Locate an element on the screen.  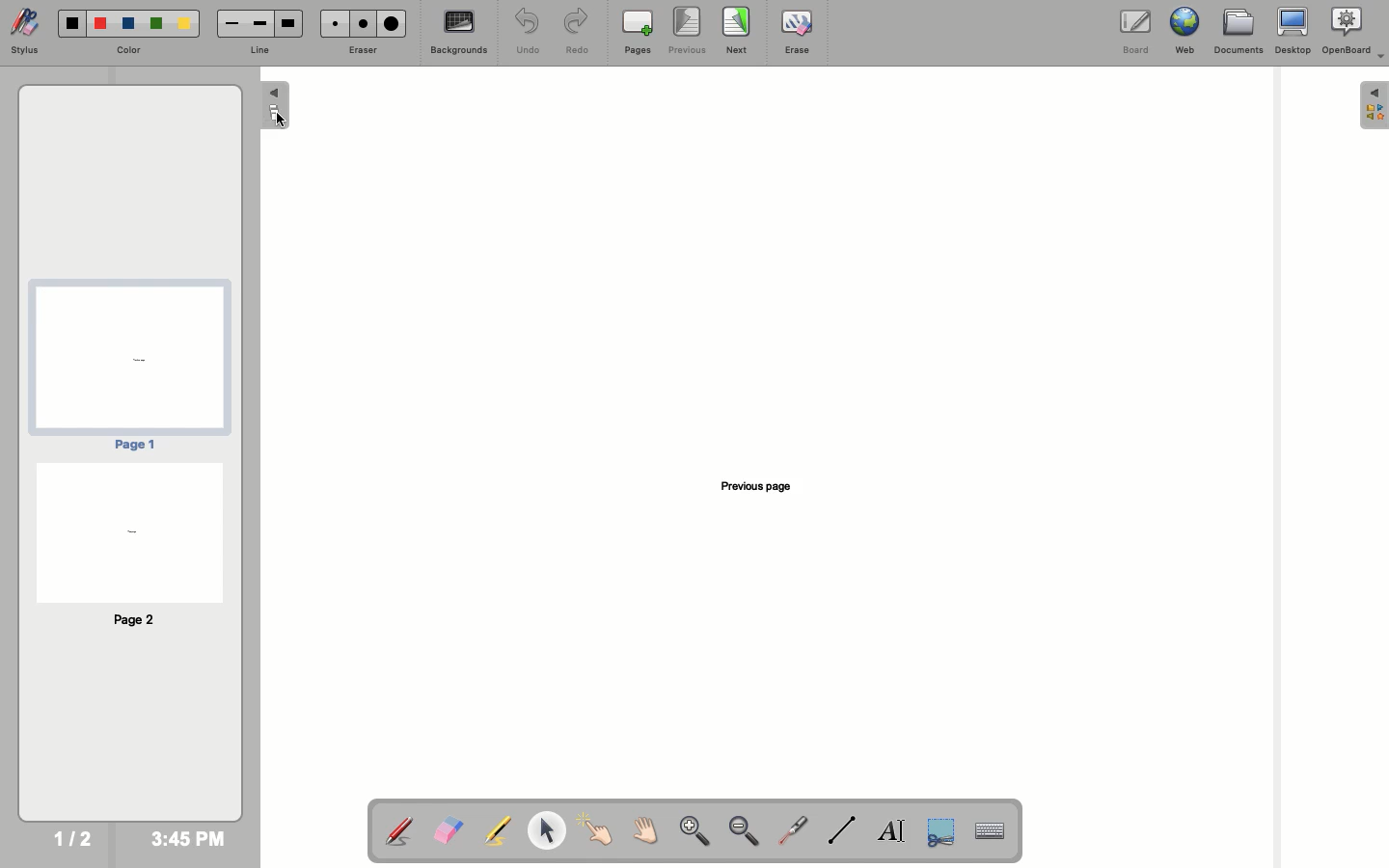
3:45 PM is located at coordinates (187, 839).